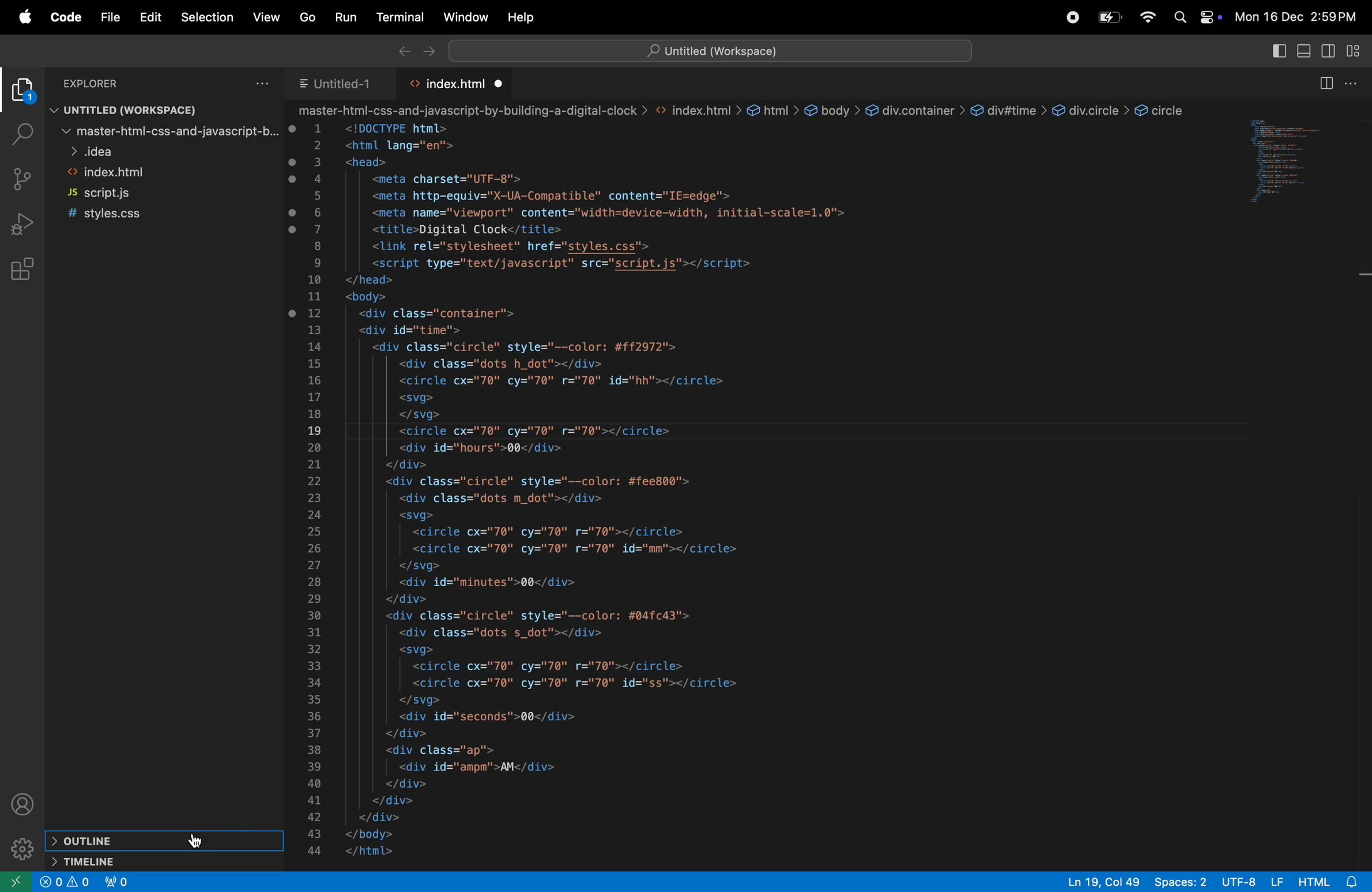 The width and height of the screenshot is (1372, 892). I want to click on split editor, so click(1324, 84).